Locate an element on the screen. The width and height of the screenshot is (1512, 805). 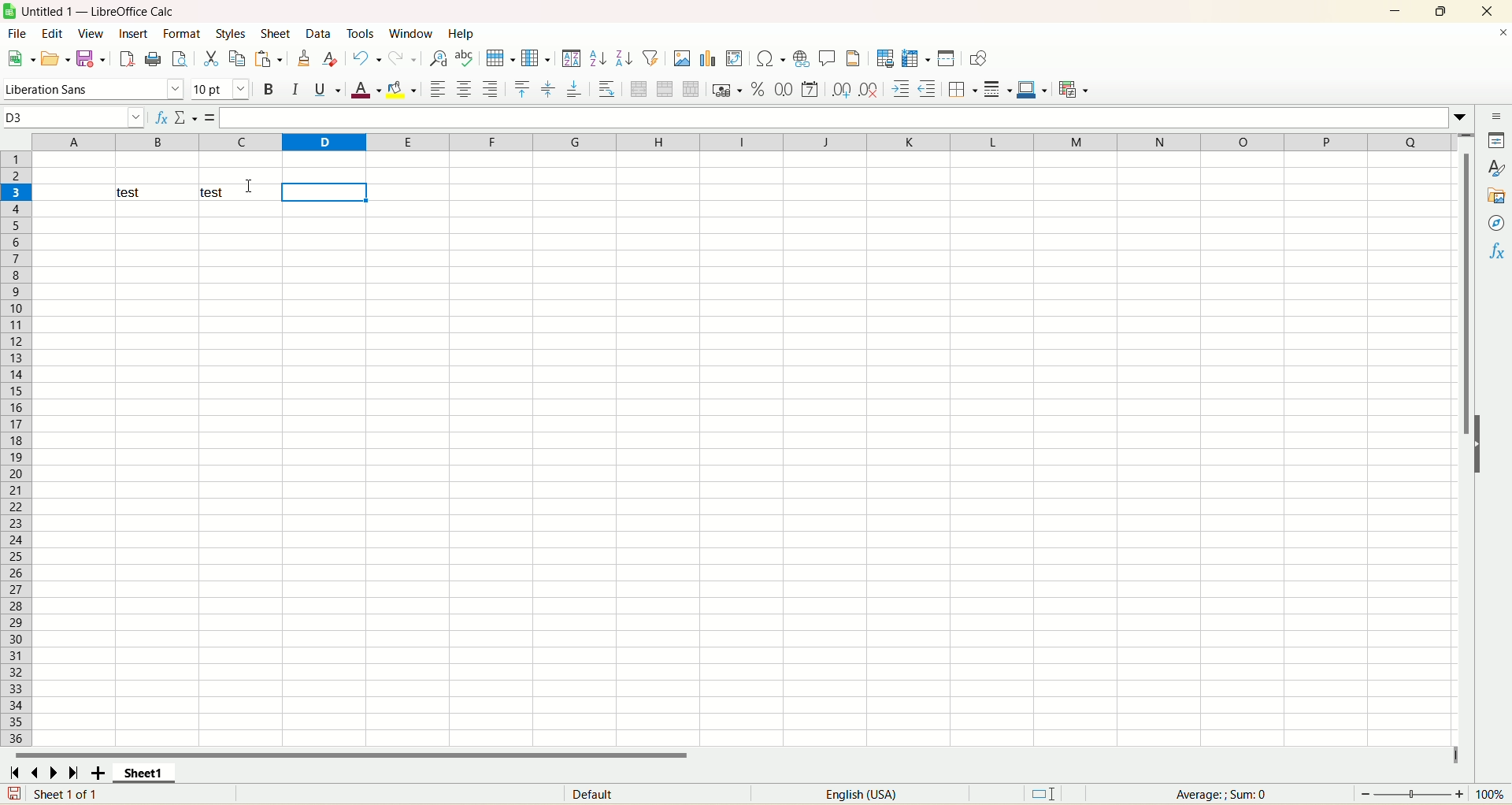
conditional formatting is located at coordinates (1074, 89).